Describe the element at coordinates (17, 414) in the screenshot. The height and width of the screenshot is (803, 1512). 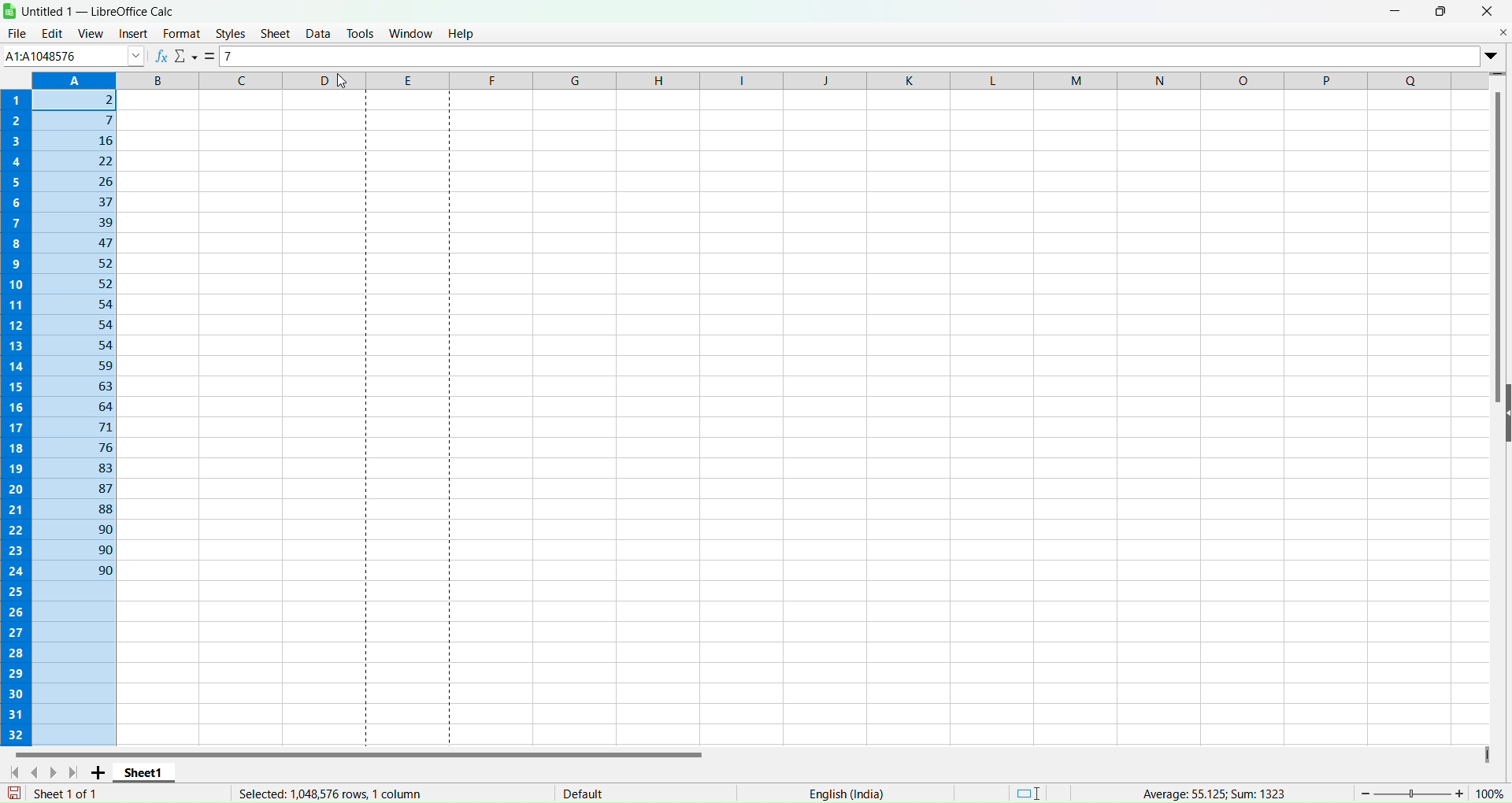
I see `Row Labels` at that location.